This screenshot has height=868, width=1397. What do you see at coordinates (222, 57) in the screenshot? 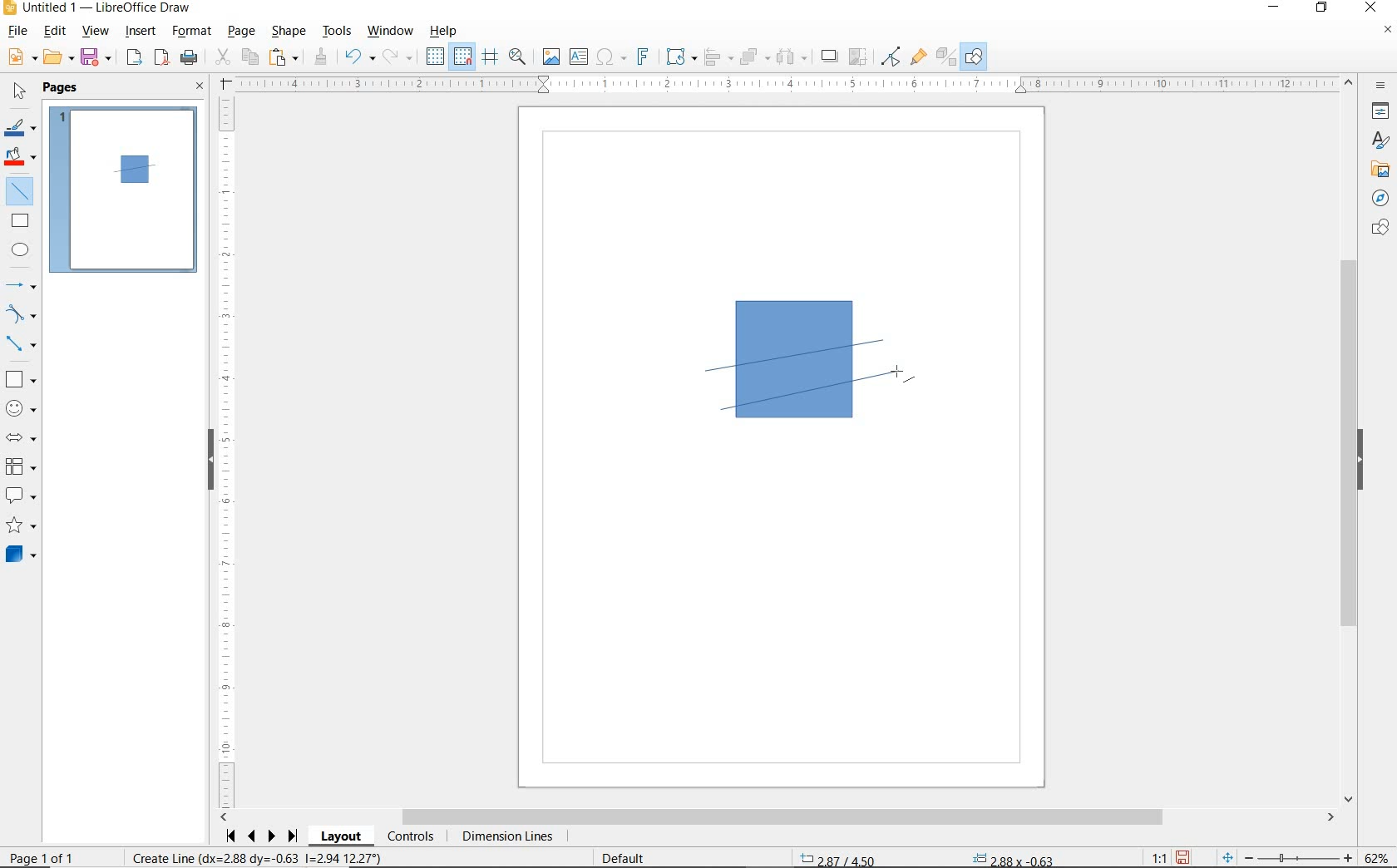
I see `CUT` at bounding box center [222, 57].